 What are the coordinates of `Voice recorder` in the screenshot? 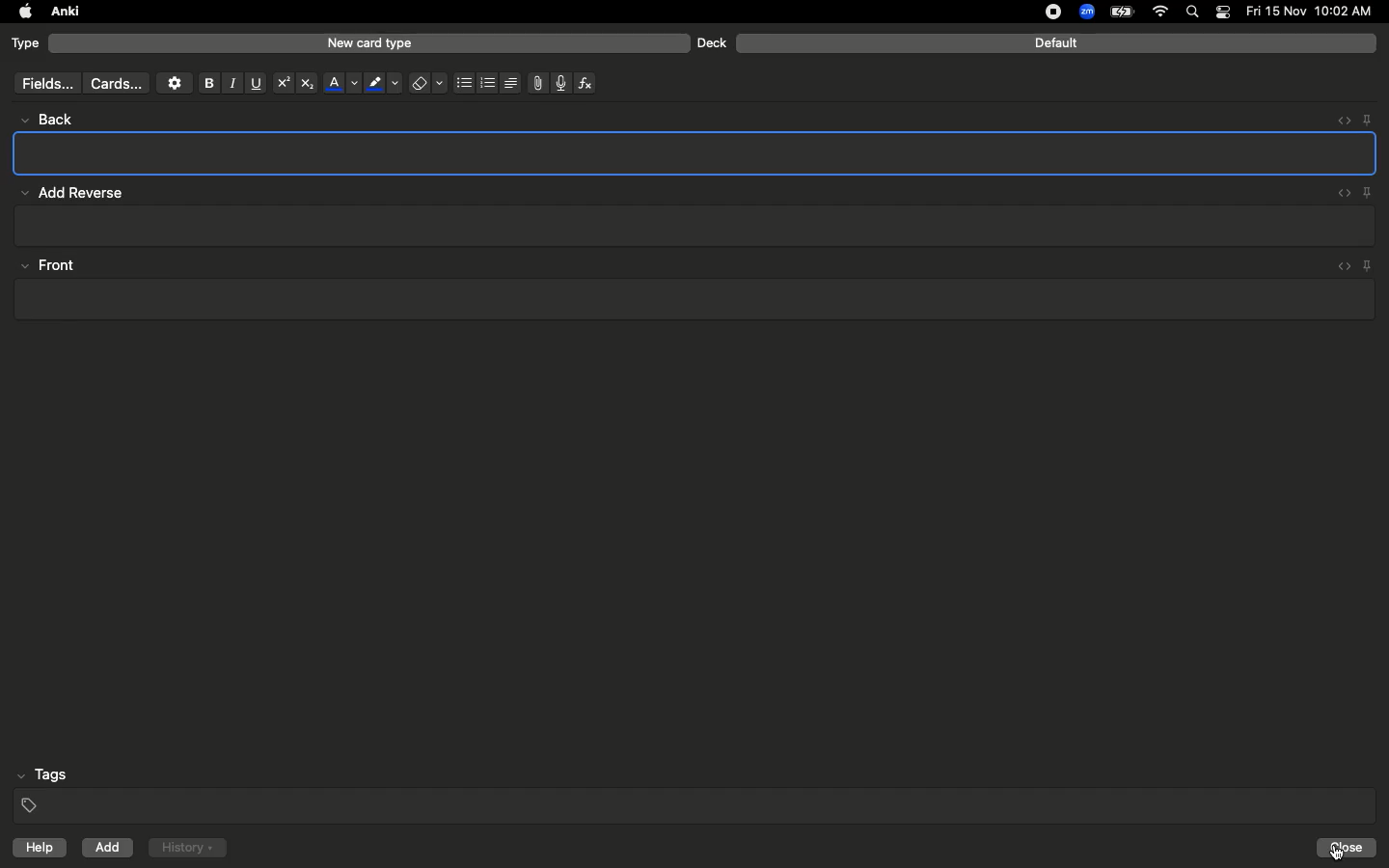 It's located at (559, 81).